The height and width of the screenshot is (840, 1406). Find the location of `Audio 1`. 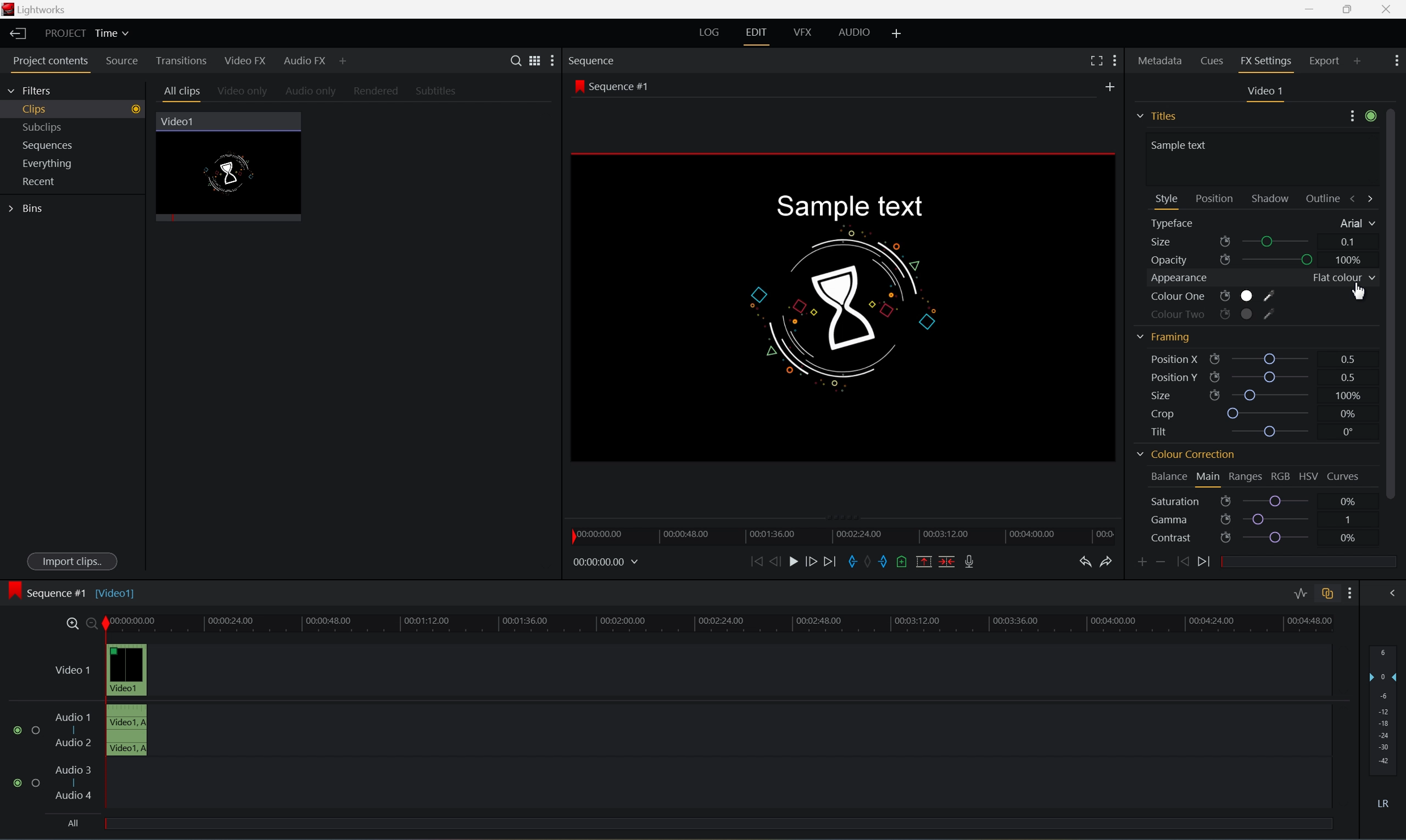

Audio 1 is located at coordinates (73, 717).